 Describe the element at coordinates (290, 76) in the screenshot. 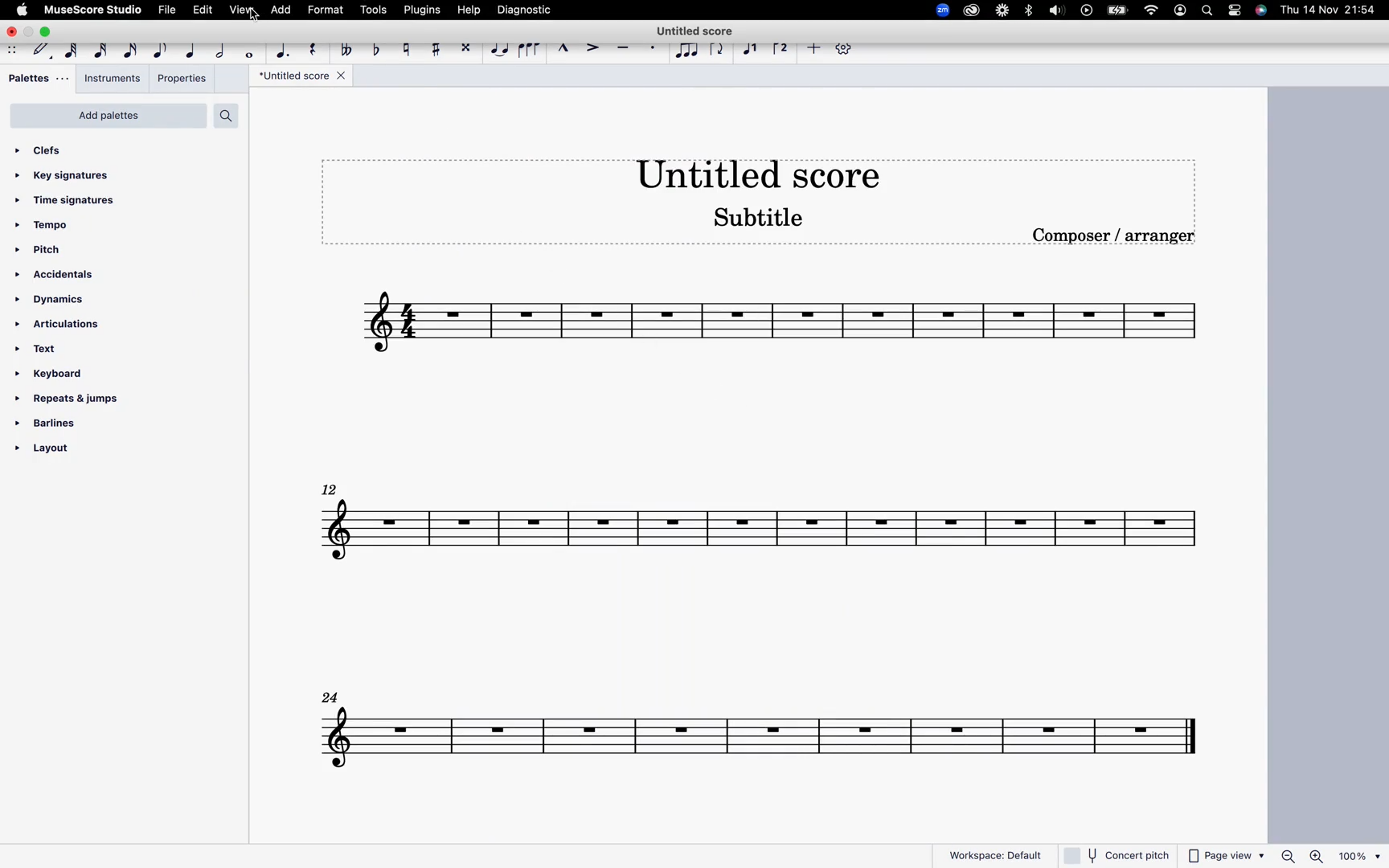

I see `score title` at that location.